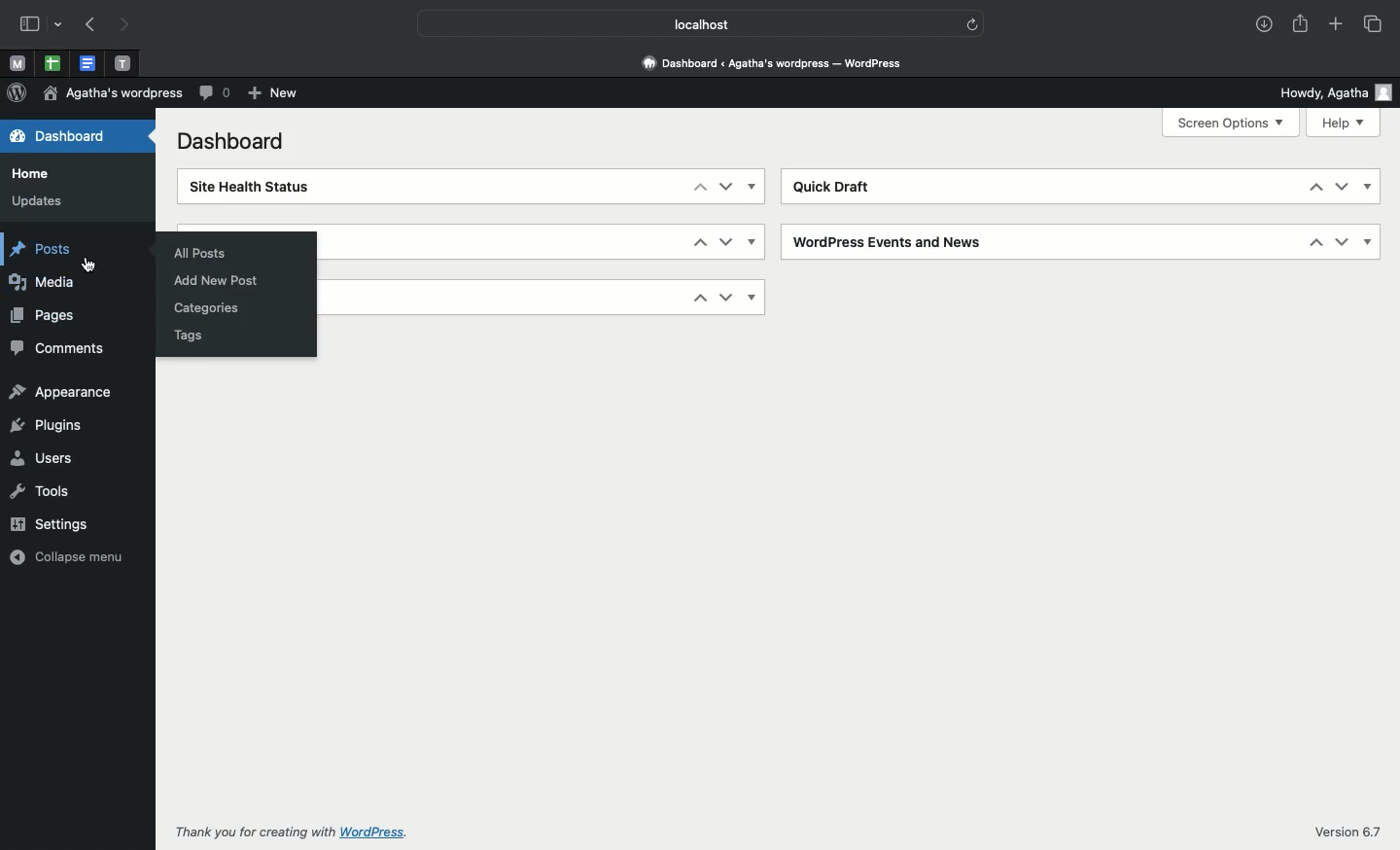 Image resolution: width=1400 pixels, height=850 pixels. What do you see at coordinates (130, 25) in the screenshot?
I see `Next page` at bounding box center [130, 25].